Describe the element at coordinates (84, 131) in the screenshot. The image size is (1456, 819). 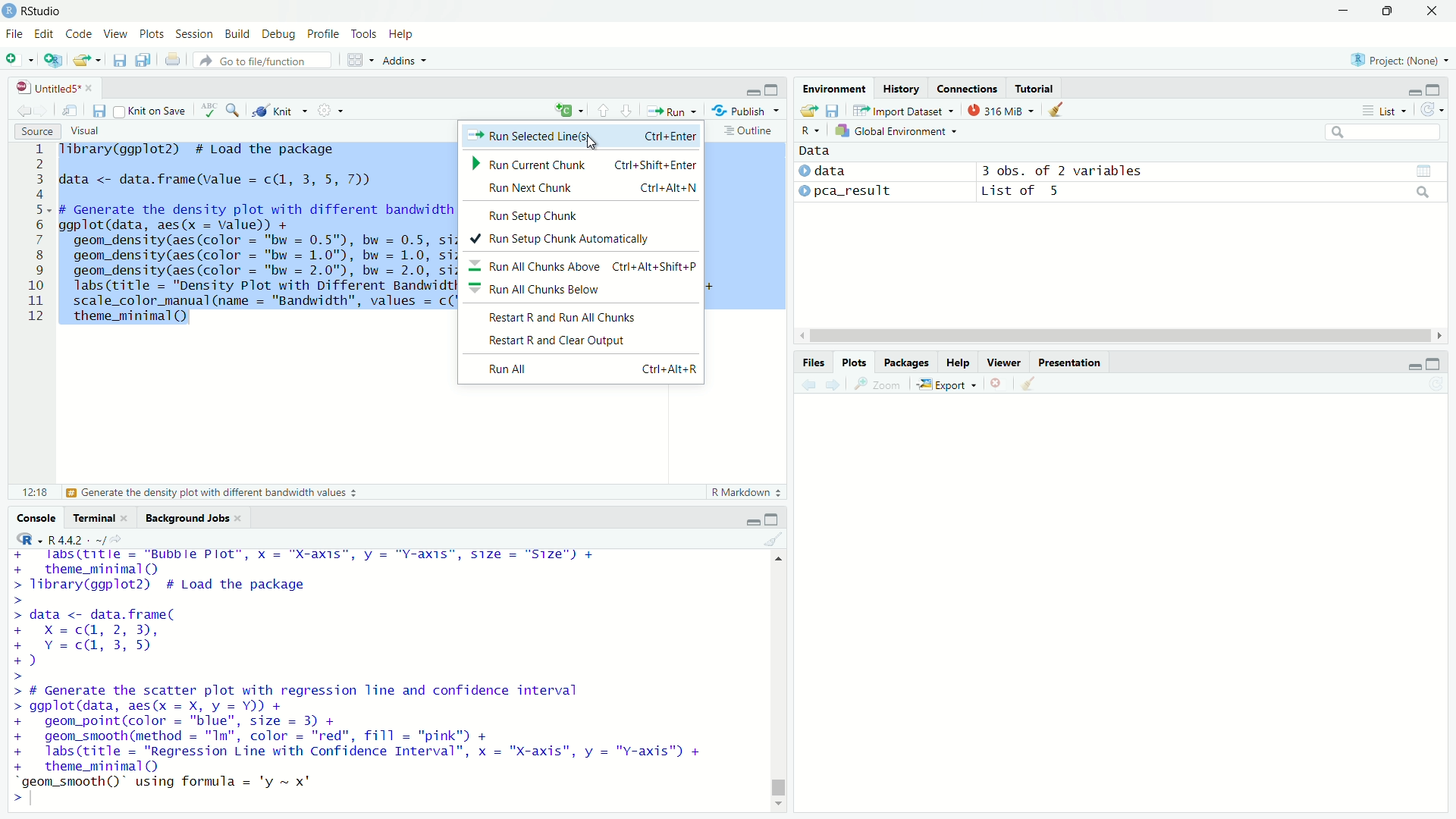
I see `Visual` at that location.